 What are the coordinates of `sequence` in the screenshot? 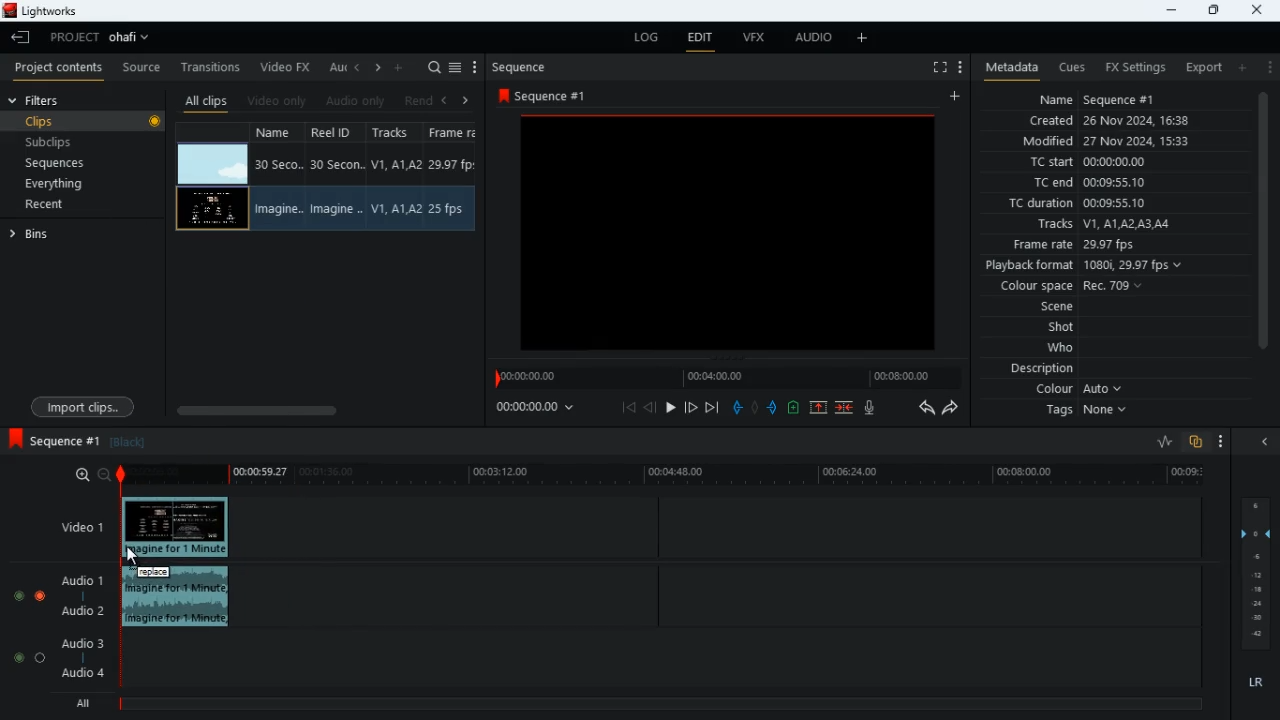 It's located at (528, 67).